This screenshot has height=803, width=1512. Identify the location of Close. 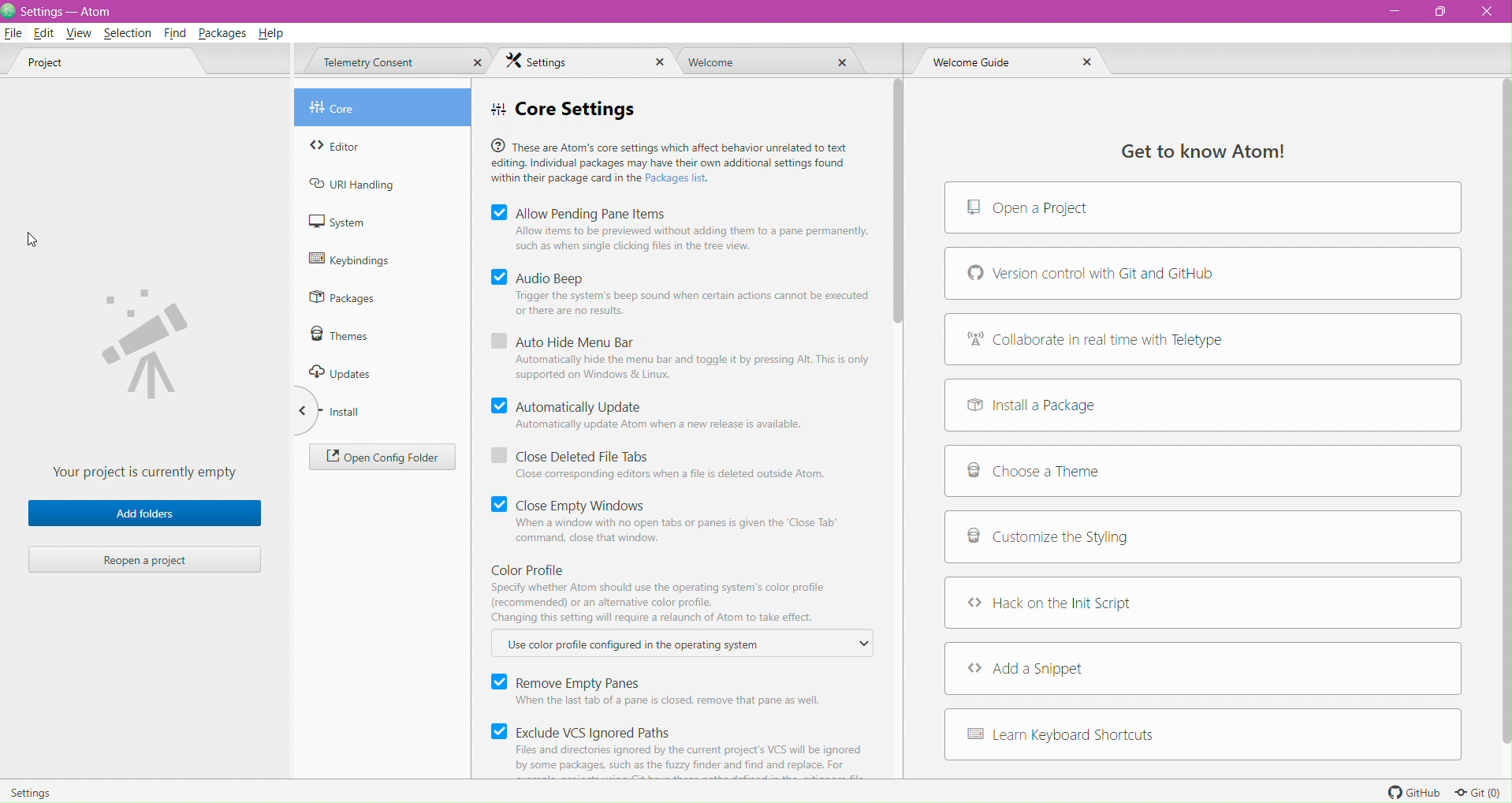
(477, 62).